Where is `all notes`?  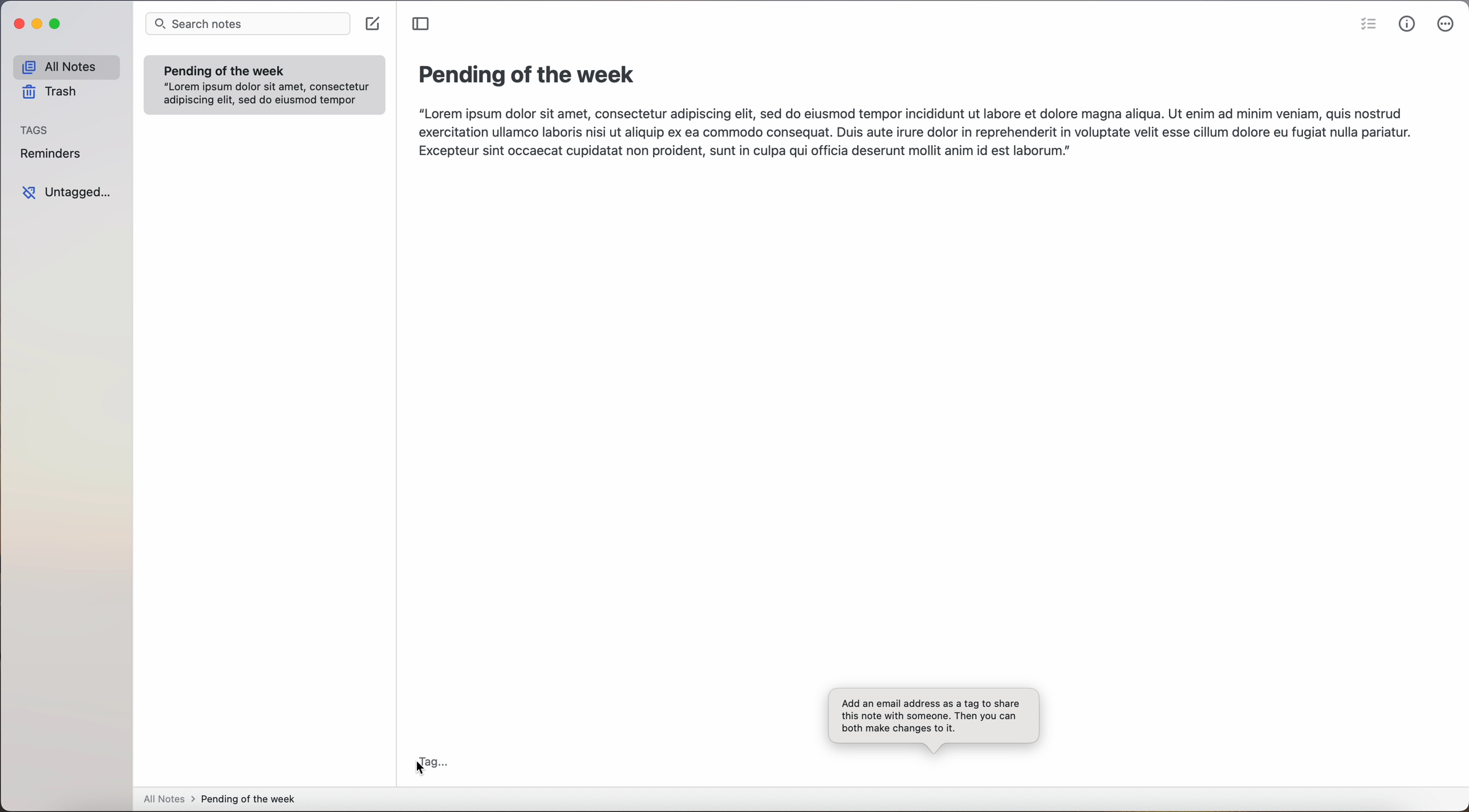 all notes is located at coordinates (66, 66).